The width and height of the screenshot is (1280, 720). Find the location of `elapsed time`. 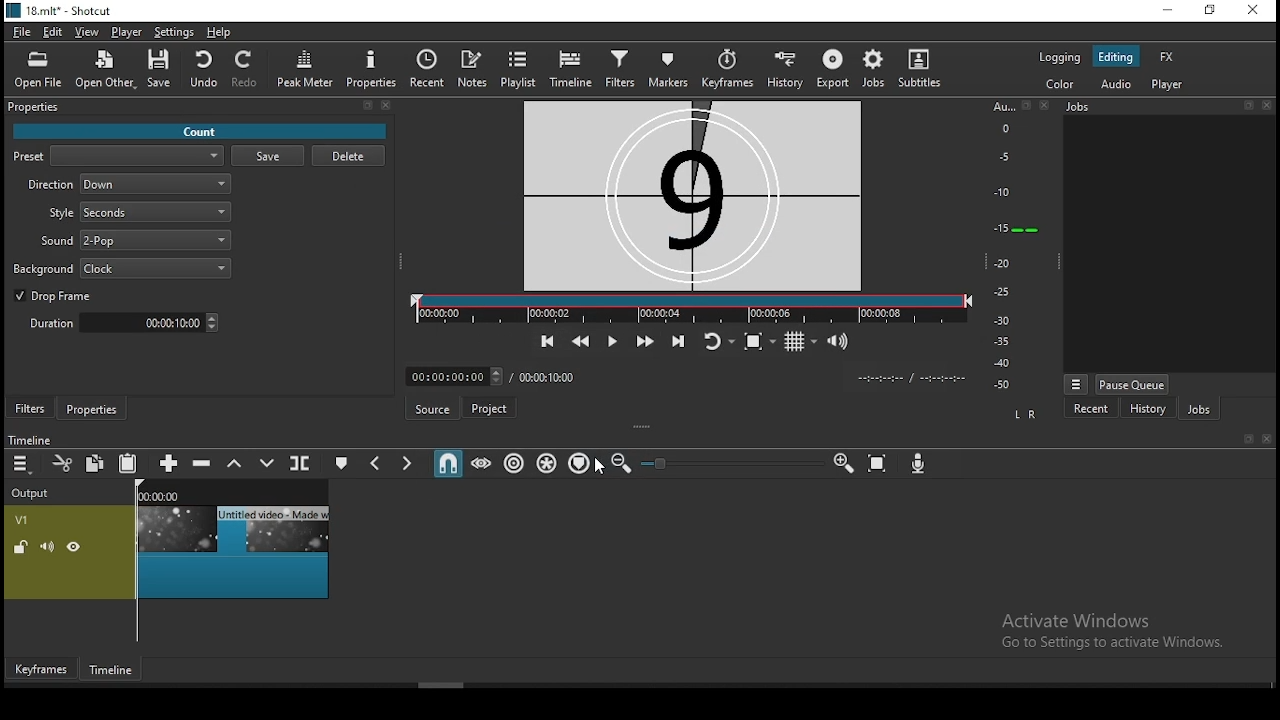

elapsed time is located at coordinates (449, 375).